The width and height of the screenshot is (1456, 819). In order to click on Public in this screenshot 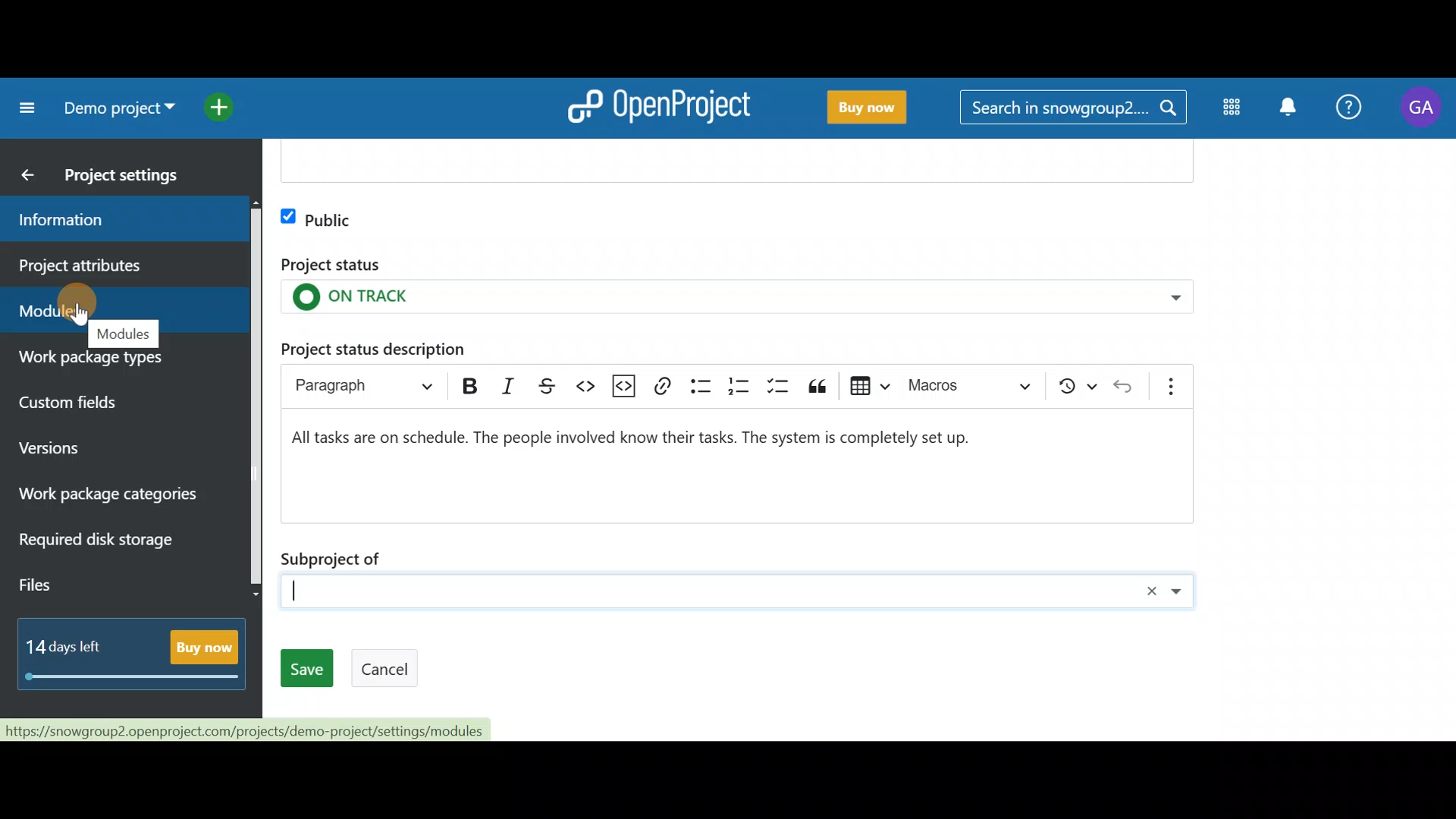, I will do `click(318, 216)`.